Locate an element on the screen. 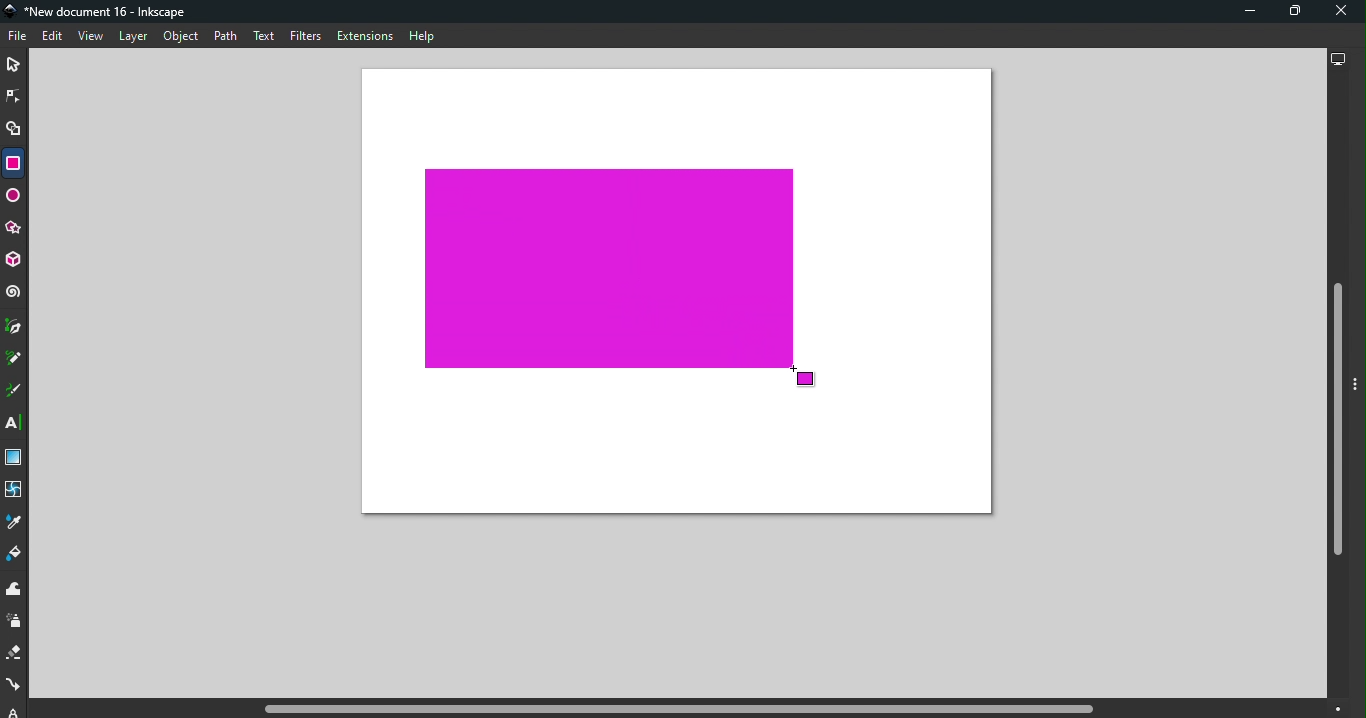 Image resolution: width=1366 pixels, height=718 pixels. Document name is located at coordinates (100, 12).